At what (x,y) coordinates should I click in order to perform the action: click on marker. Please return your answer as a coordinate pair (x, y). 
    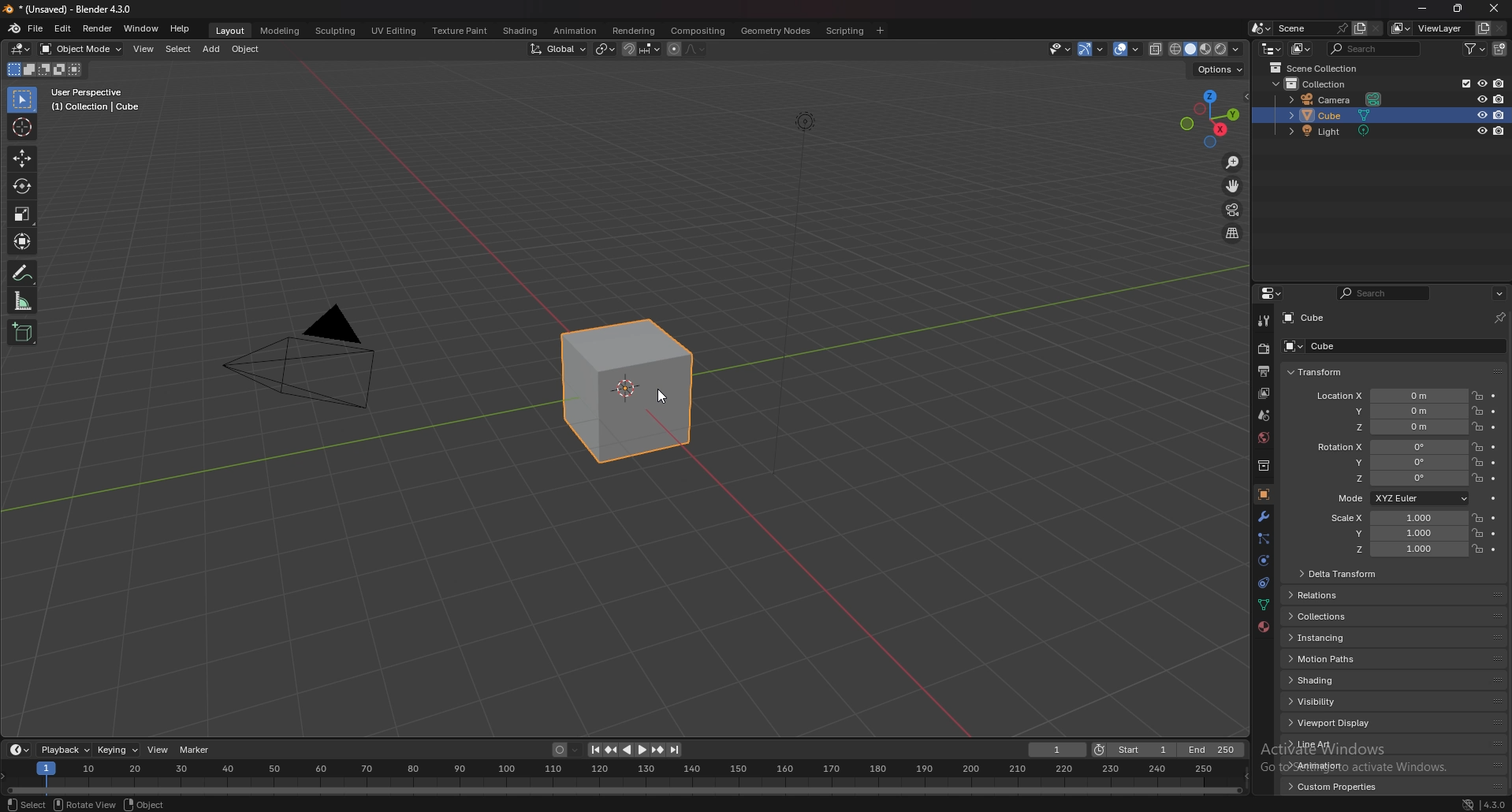
    Looking at the image, I should click on (194, 750).